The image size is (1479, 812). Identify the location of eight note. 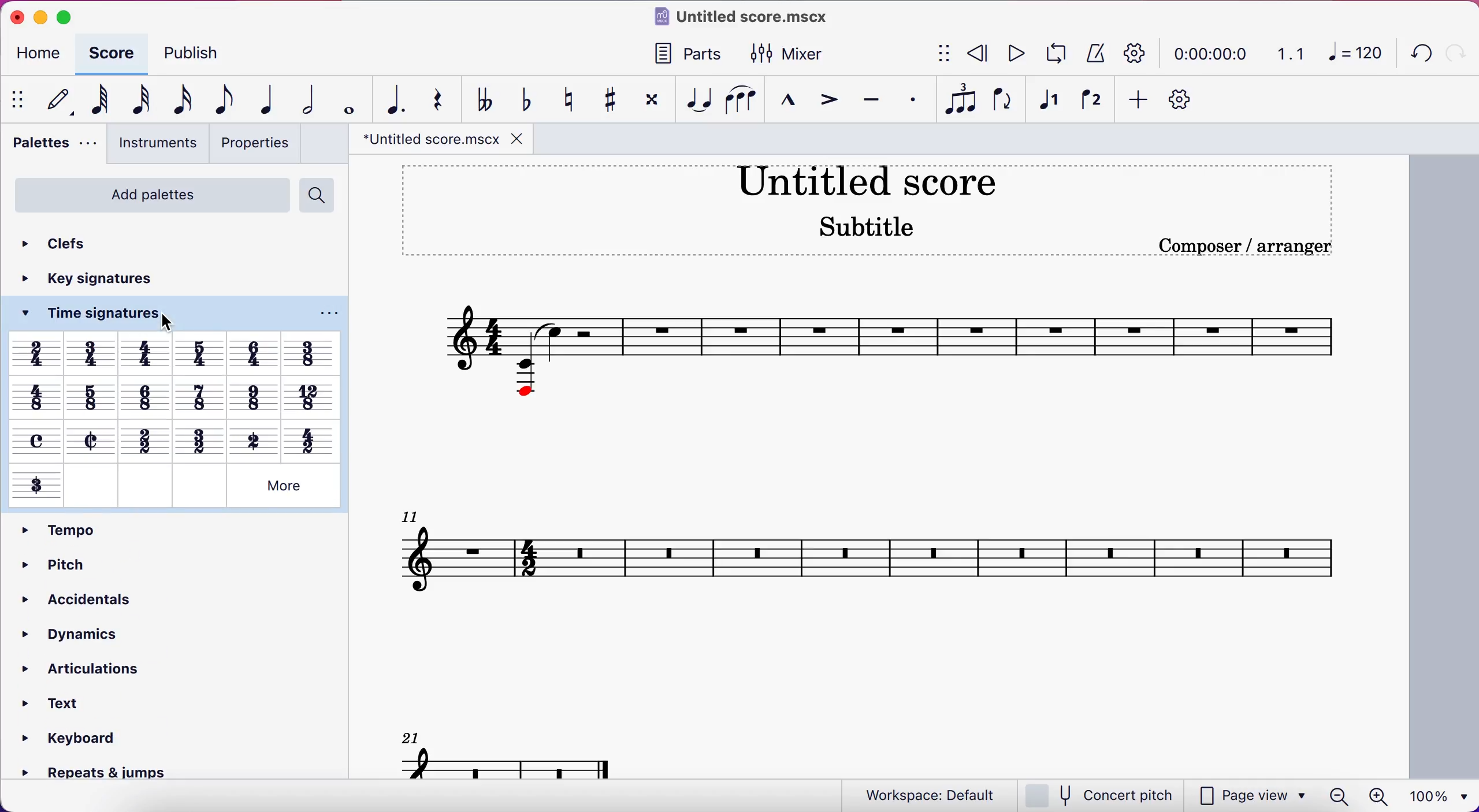
(218, 101).